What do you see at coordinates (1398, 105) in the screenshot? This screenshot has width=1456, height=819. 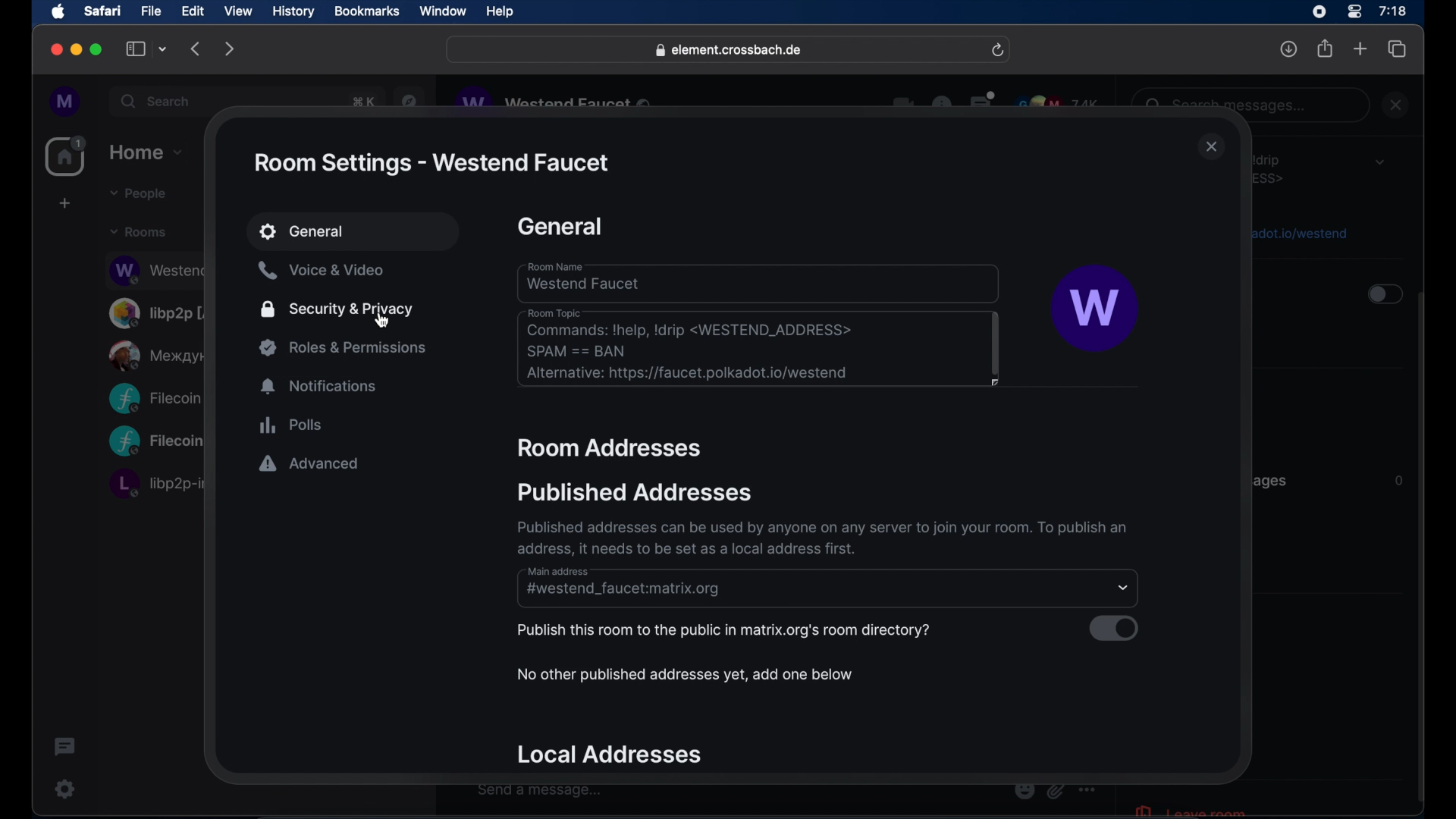 I see `close` at bounding box center [1398, 105].